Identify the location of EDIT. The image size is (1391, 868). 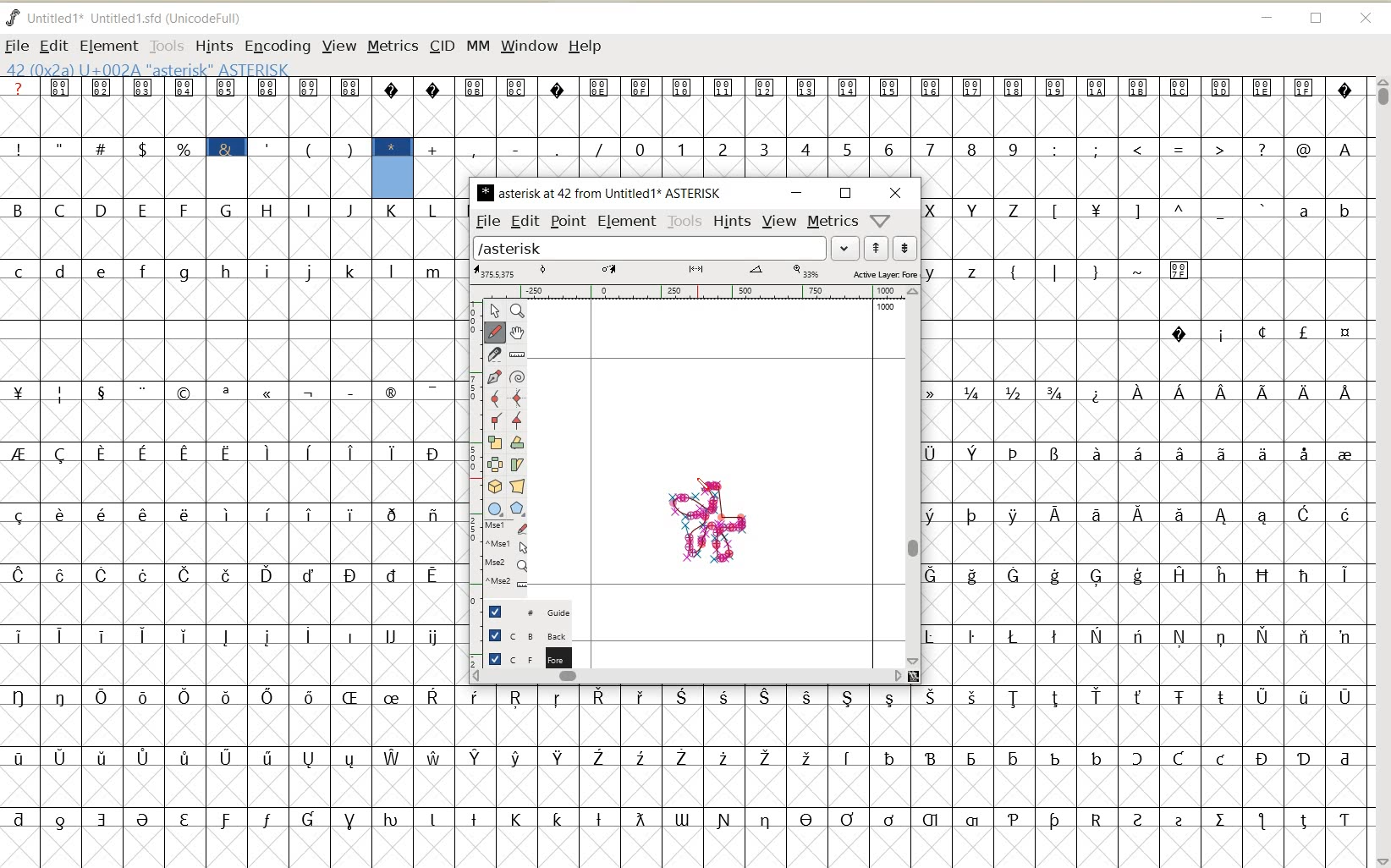
(54, 45).